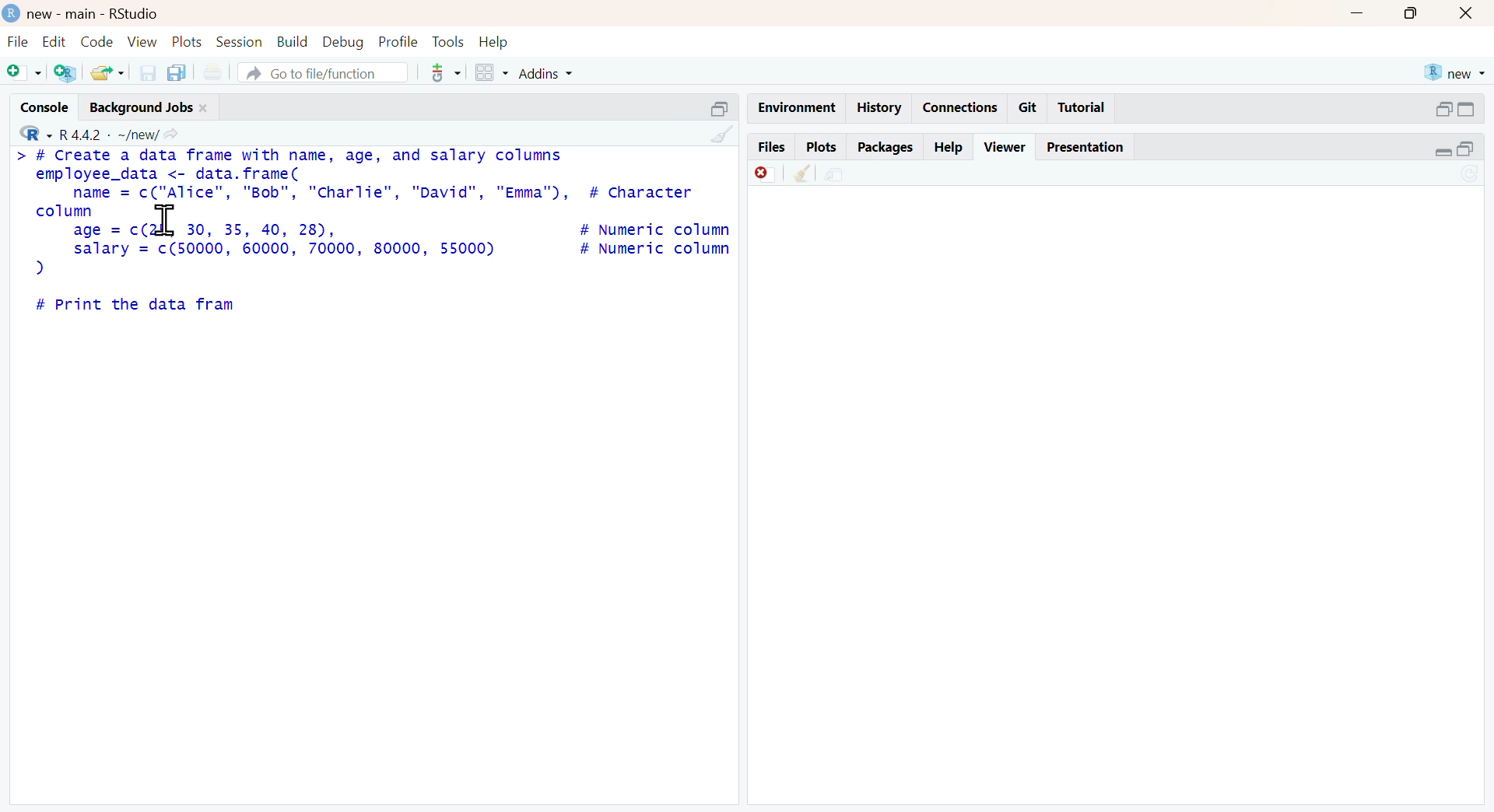 The width and height of the screenshot is (1494, 812). What do you see at coordinates (167, 223) in the screenshot?
I see `cursor` at bounding box center [167, 223].